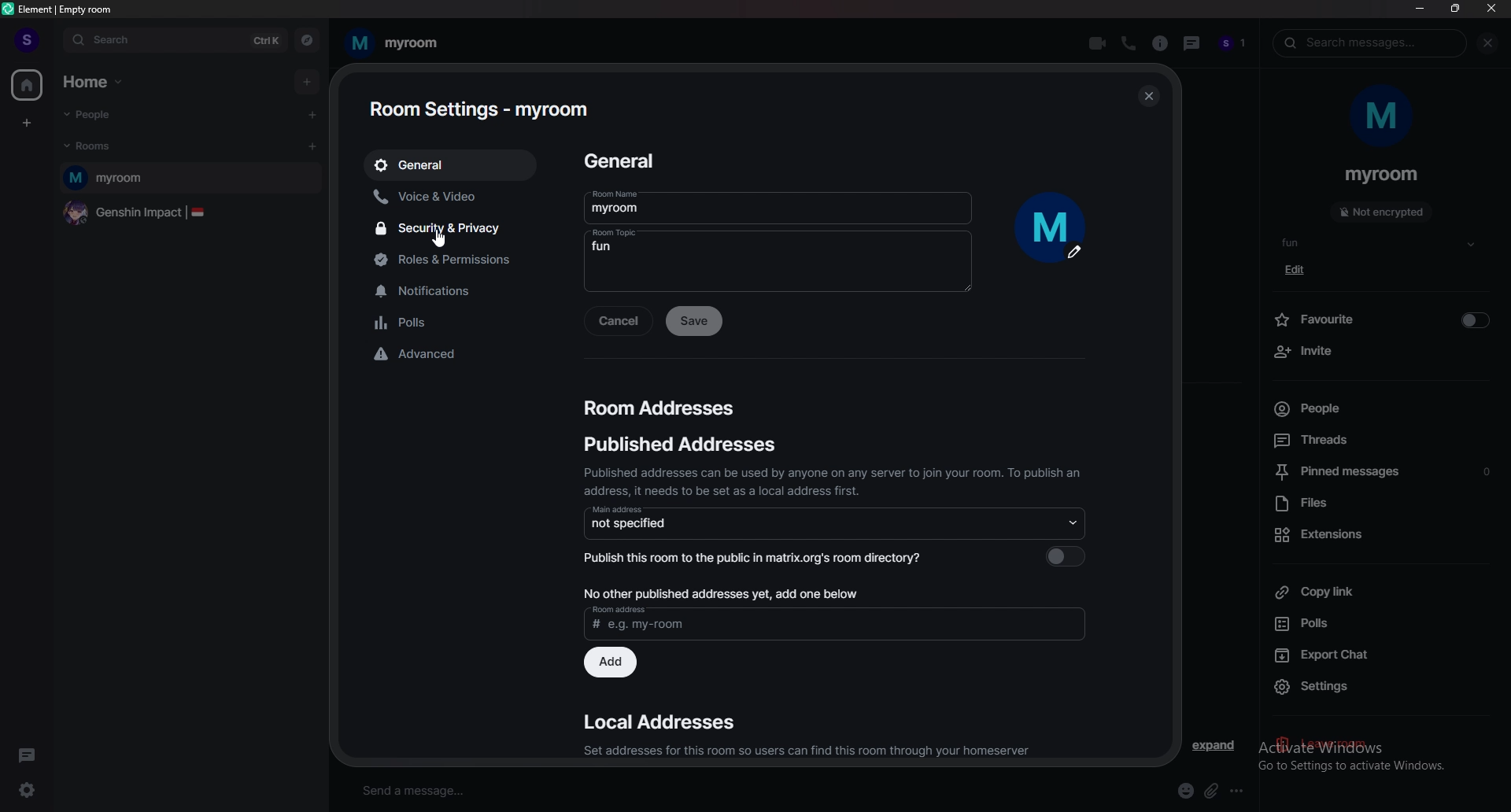 The height and width of the screenshot is (812, 1511). What do you see at coordinates (1160, 44) in the screenshot?
I see `room info` at bounding box center [1160, 44].